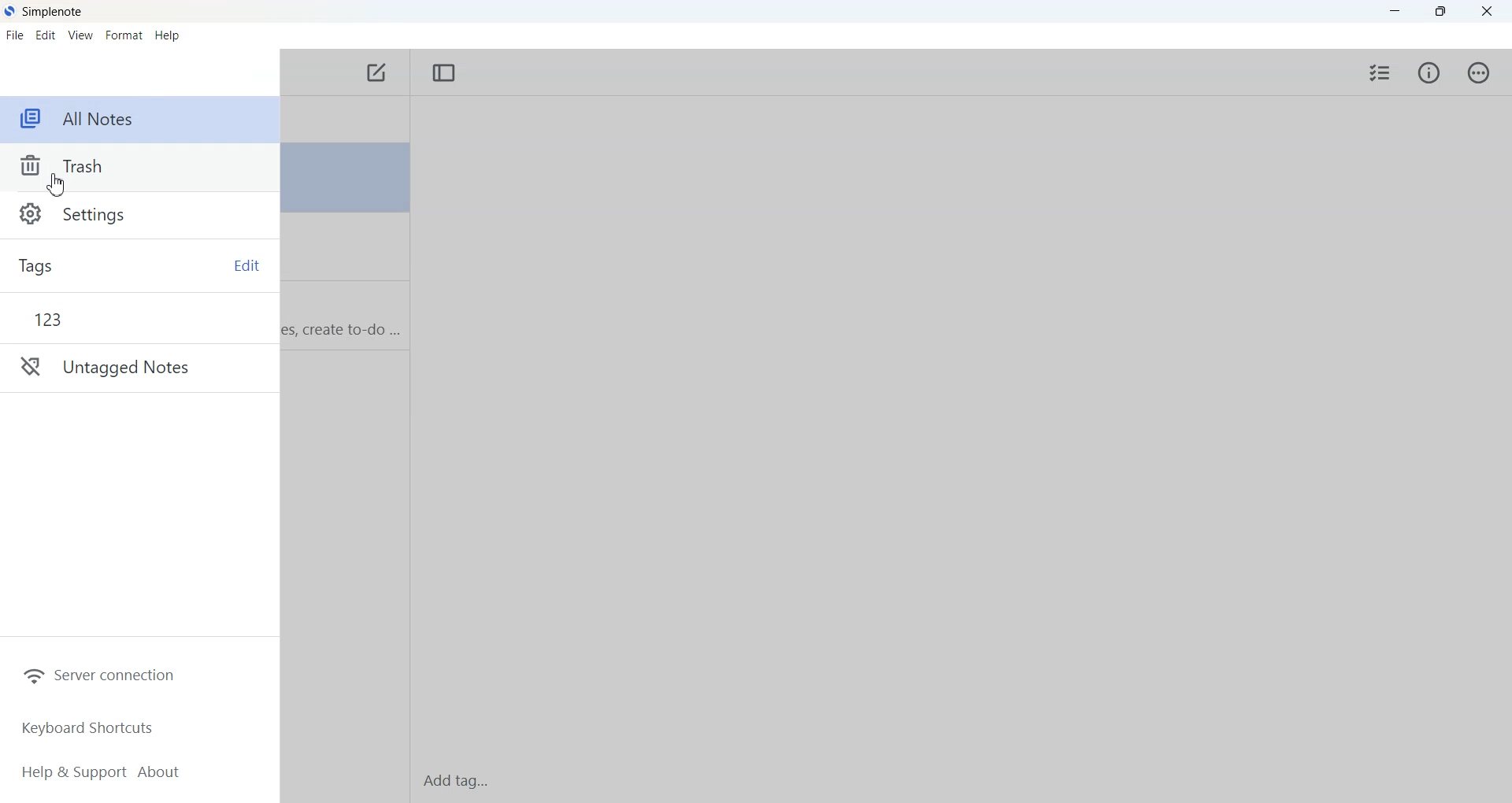 The image size is (1512, 803). Describe the element at coordinates (60, 186) in the screenshot. I see `mouse pointer` at that location.